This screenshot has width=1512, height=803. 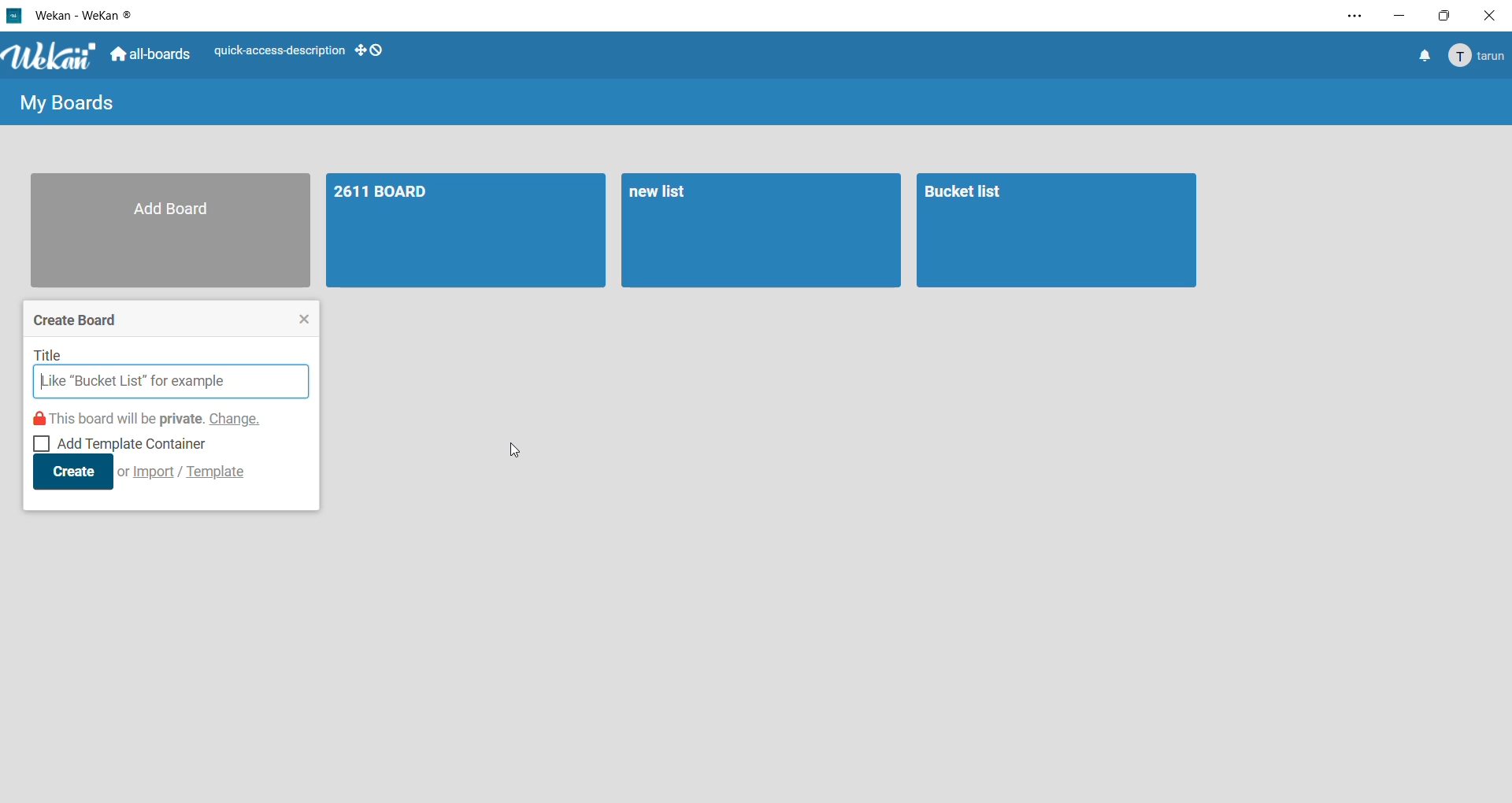 I want to click on notifications, so click(x=1418, y=56).